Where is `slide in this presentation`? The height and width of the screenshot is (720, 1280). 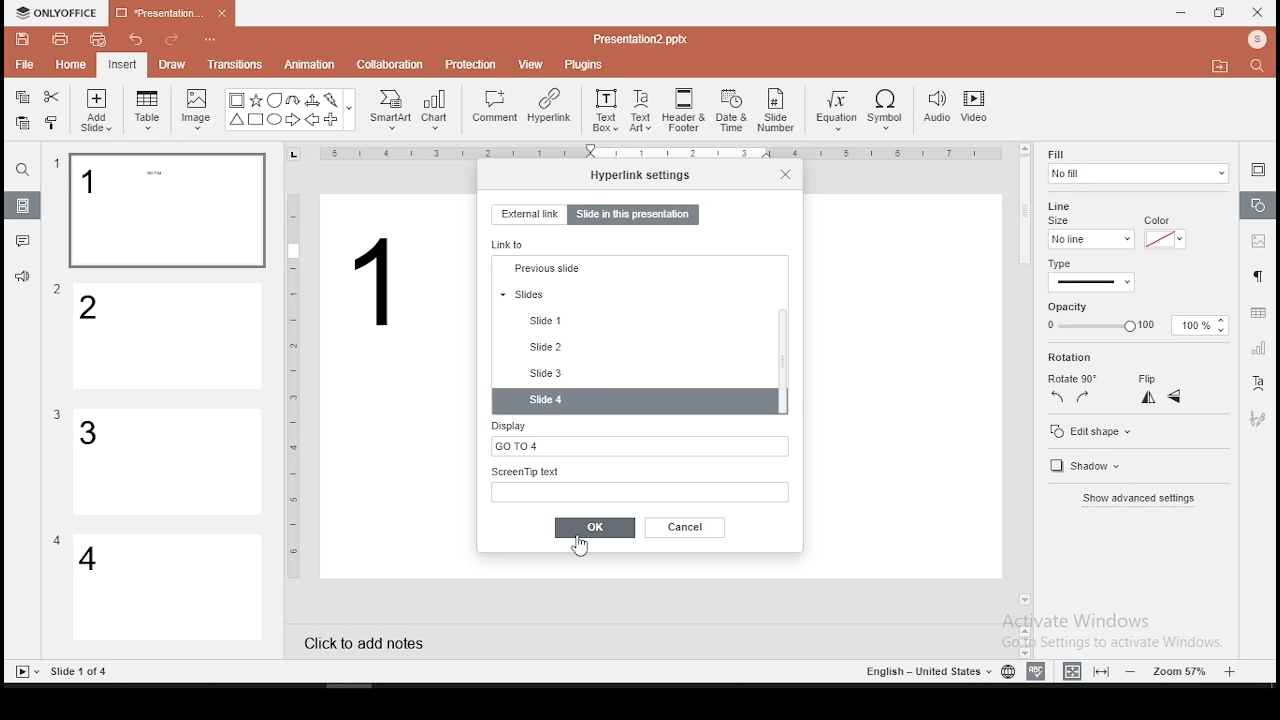
slide in this presentation is located at coordinates (633, 216).